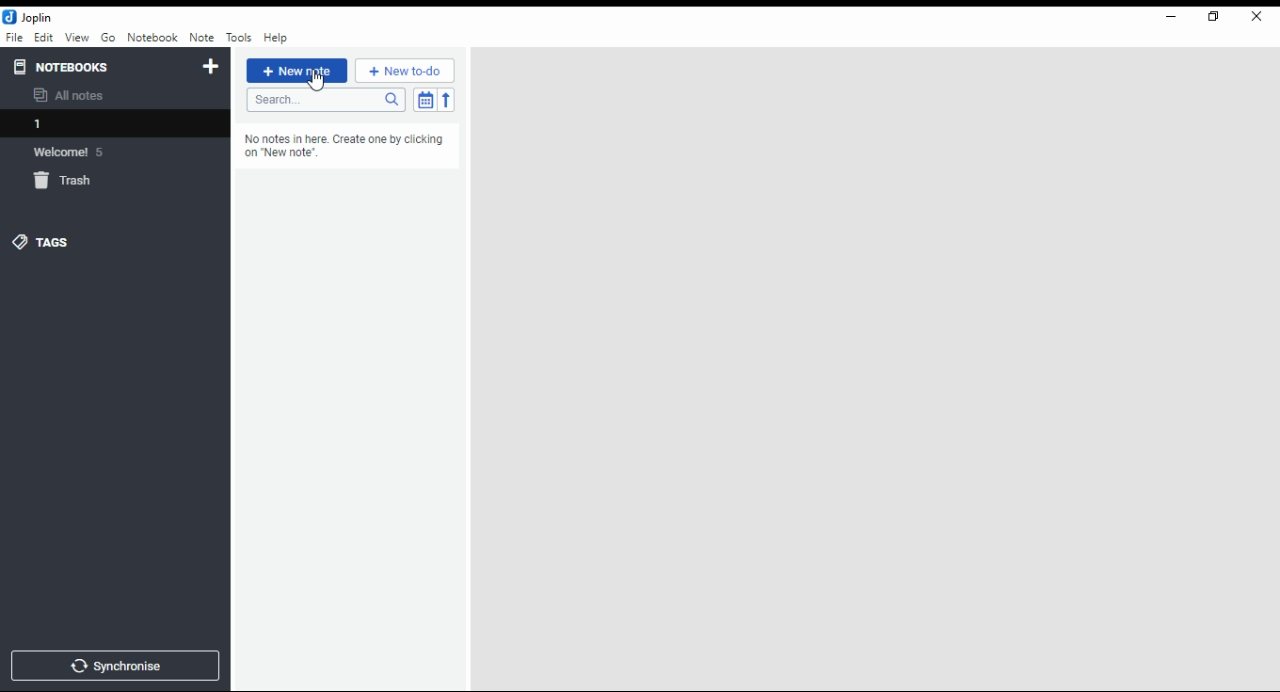 The image size is (1280, 692). Describe the element at coordinates (1172, 17) in the screenshot. I see `minimize` at that location.